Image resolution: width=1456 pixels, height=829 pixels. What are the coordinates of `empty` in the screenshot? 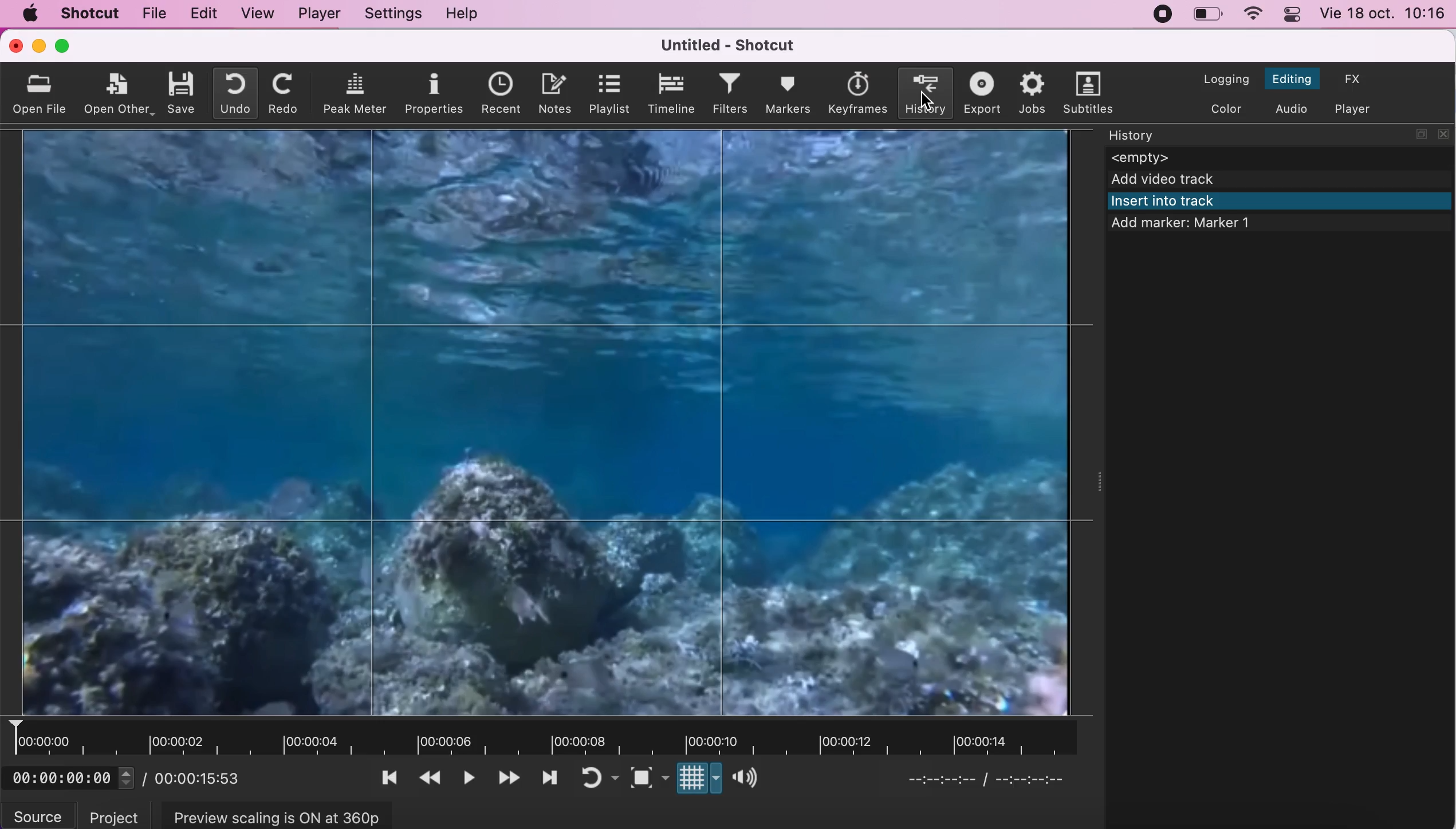 It's located at (1281, 157).